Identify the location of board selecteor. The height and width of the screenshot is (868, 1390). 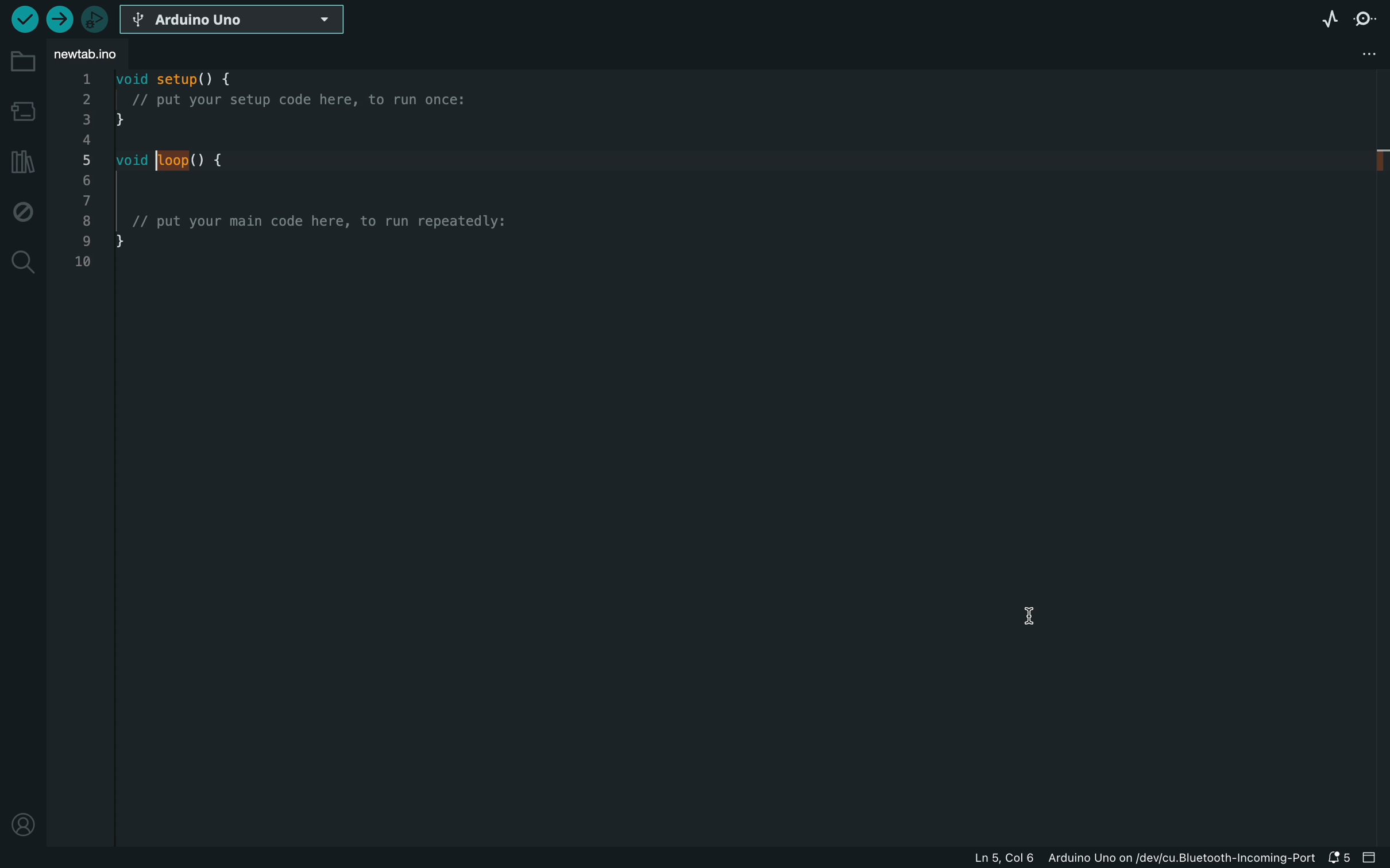
(233, 20).